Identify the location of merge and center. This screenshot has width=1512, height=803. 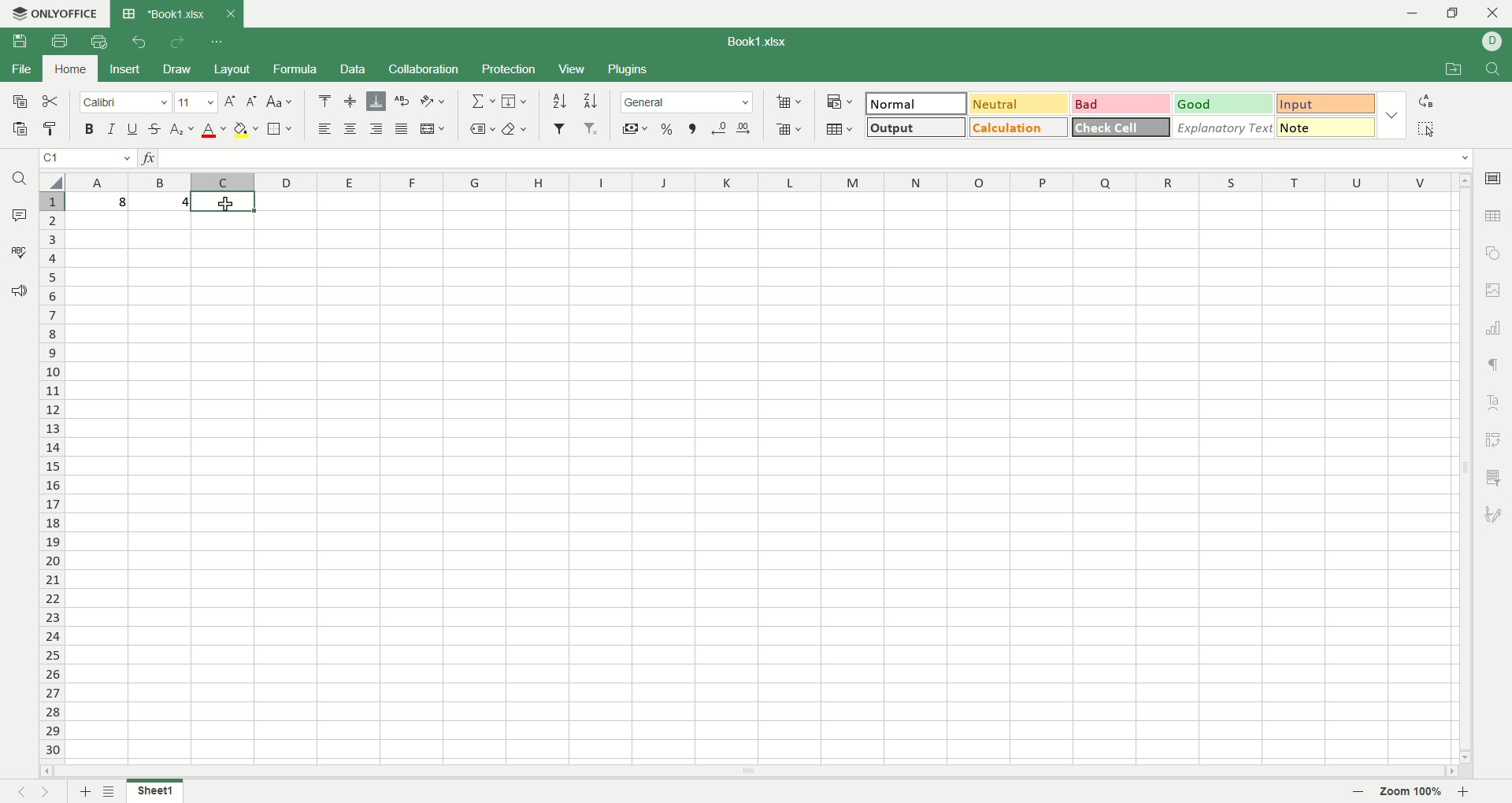
(434, 129).